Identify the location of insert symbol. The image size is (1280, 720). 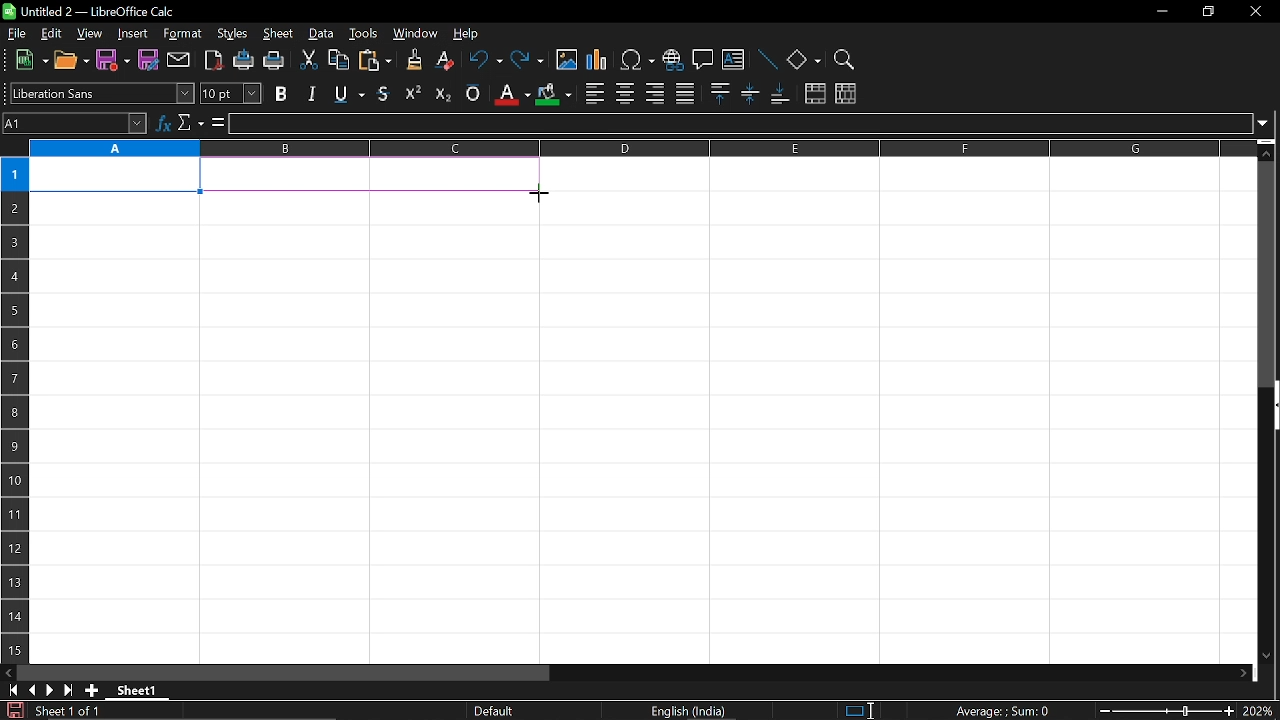
(638, 59).